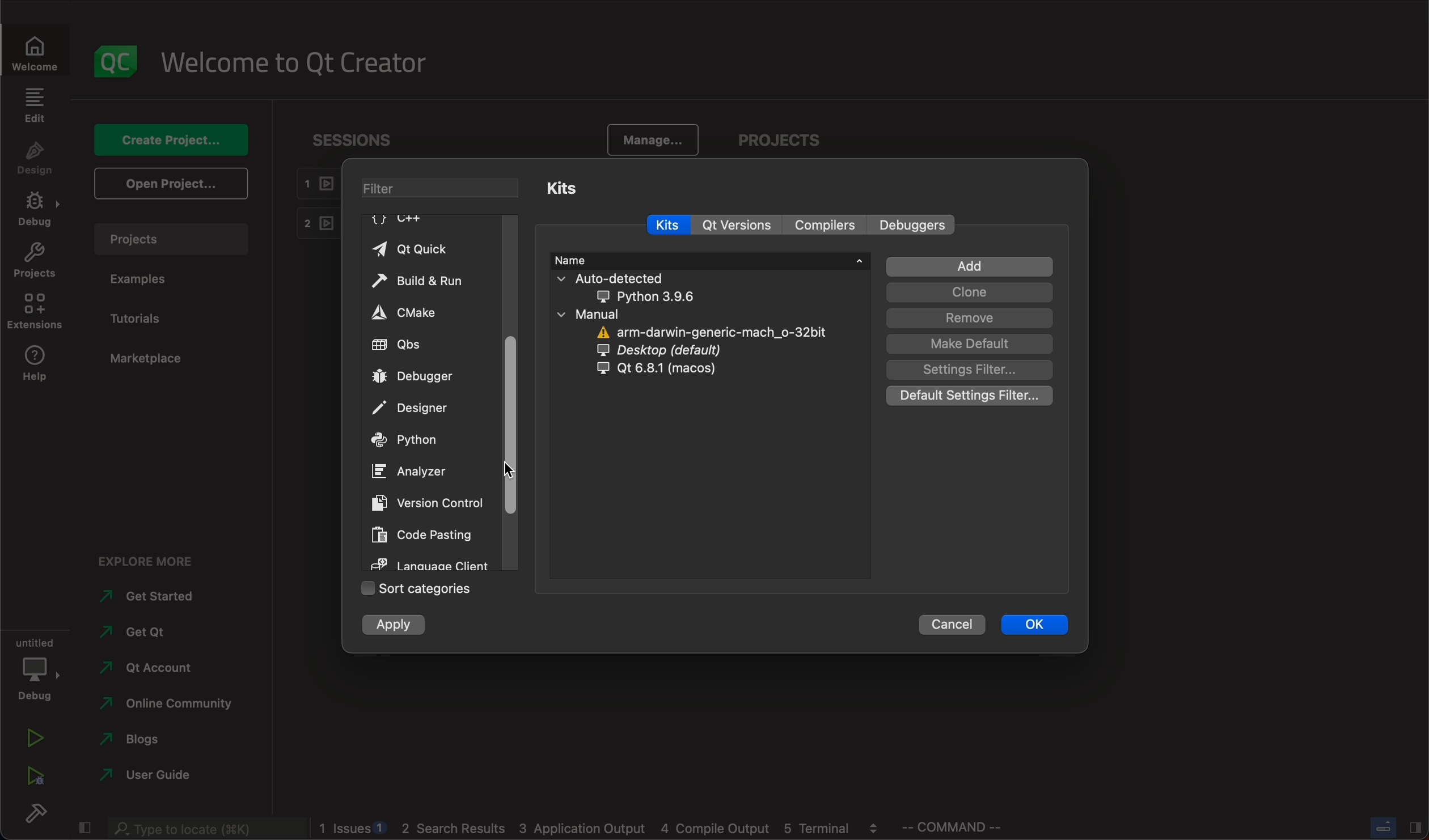 The image size is (1429, 840). What do you see at coordinates (153, 360) in the screenshot?
I see `marketplace` at bounding box center [153, 360].